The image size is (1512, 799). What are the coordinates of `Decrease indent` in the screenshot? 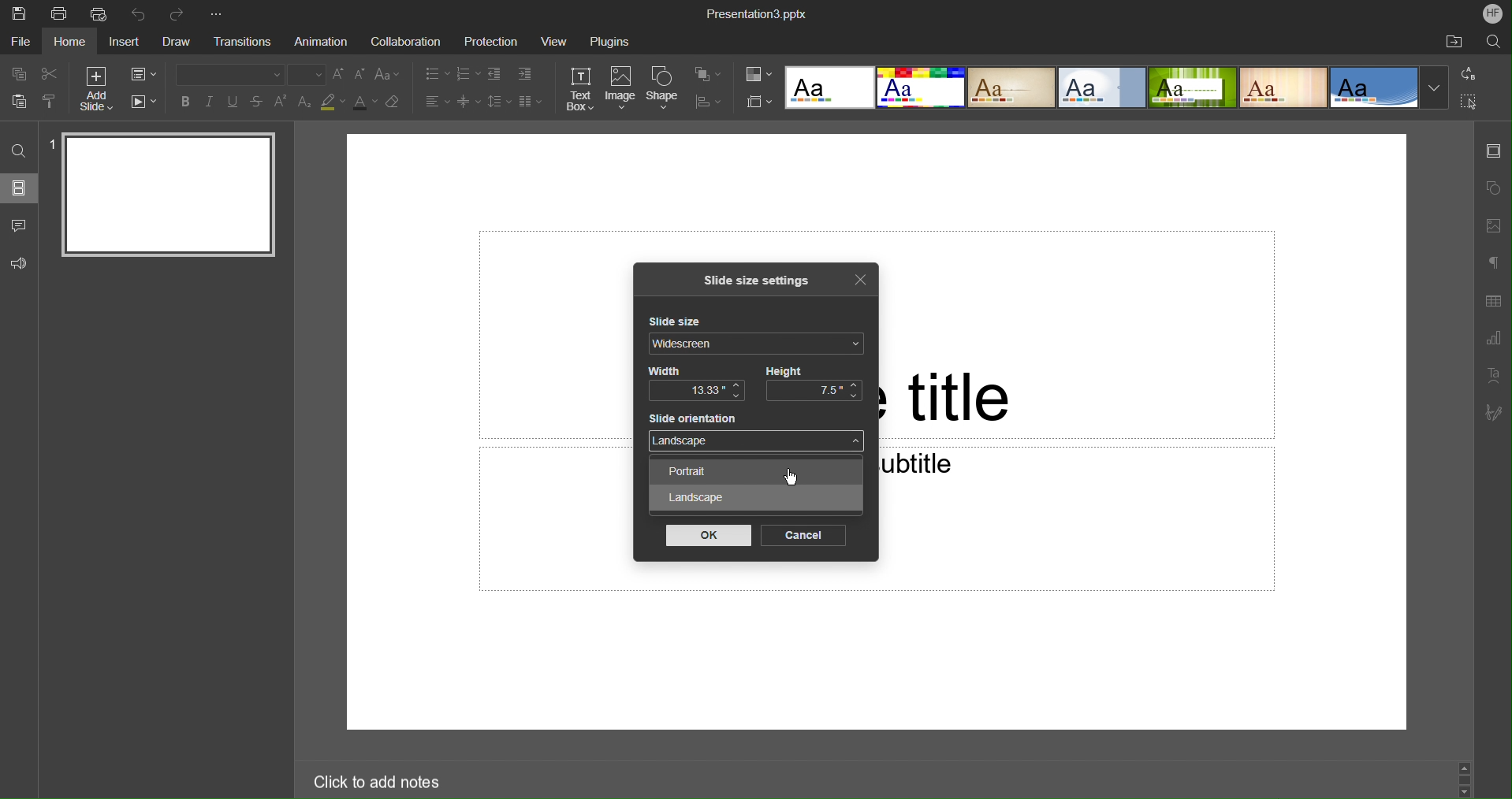 It's located at (493, 74).